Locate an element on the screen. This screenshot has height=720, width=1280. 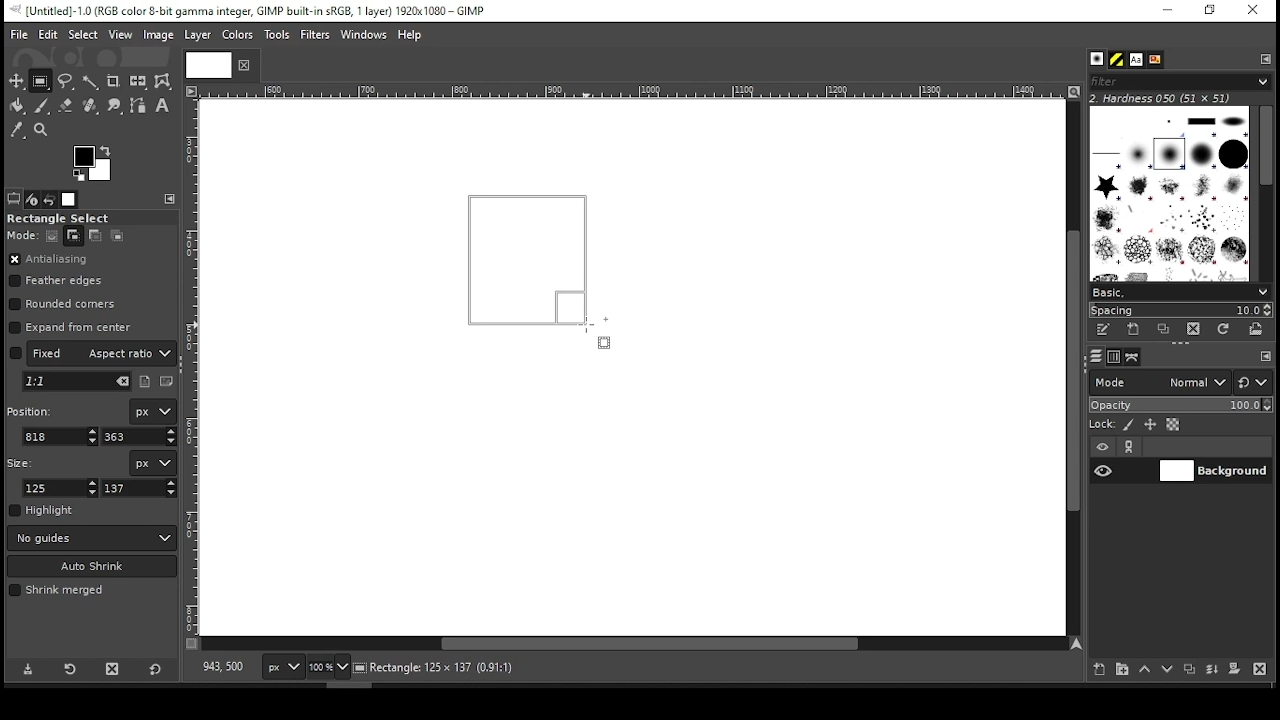
move layer one step down is located at coordinates (1168, 671).